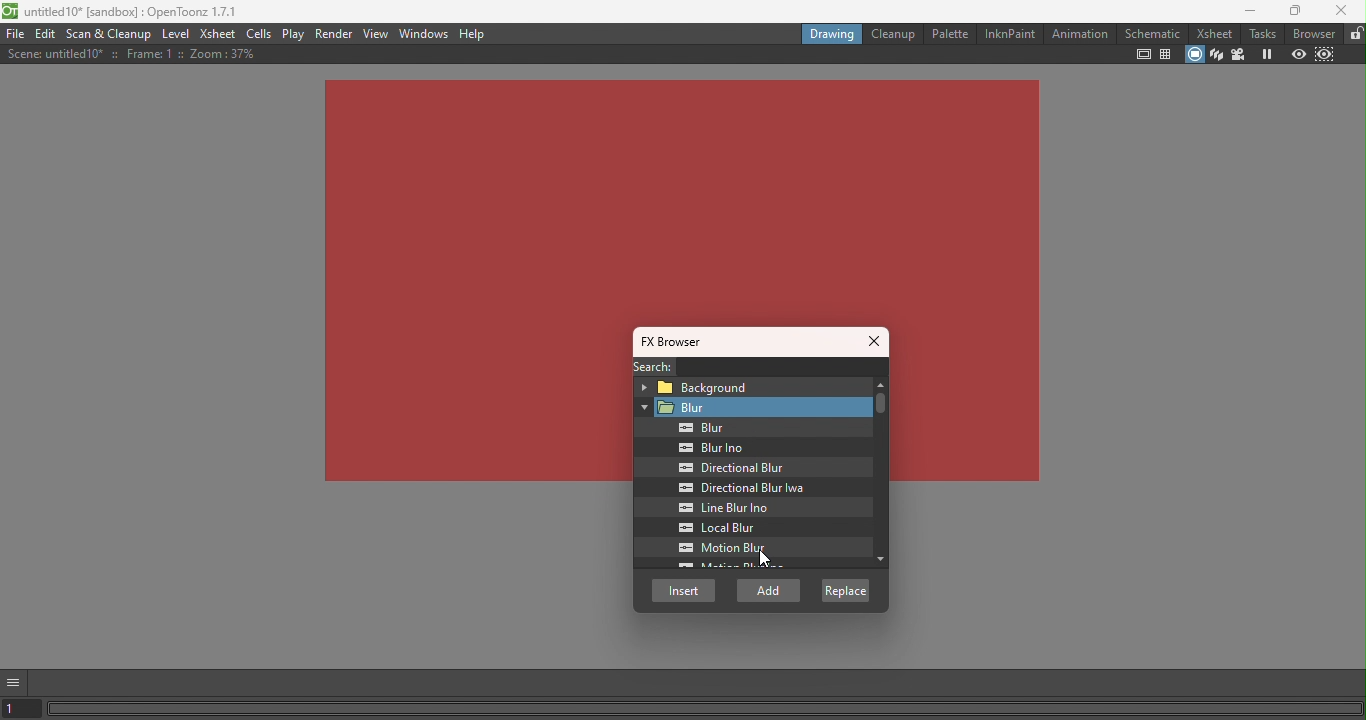 The width and height of the screenshot is (1366, 720). What do you see at coordinates (1247, 11) in the screenshot?
I see `Minimize` at bounding box center [1247, 11].